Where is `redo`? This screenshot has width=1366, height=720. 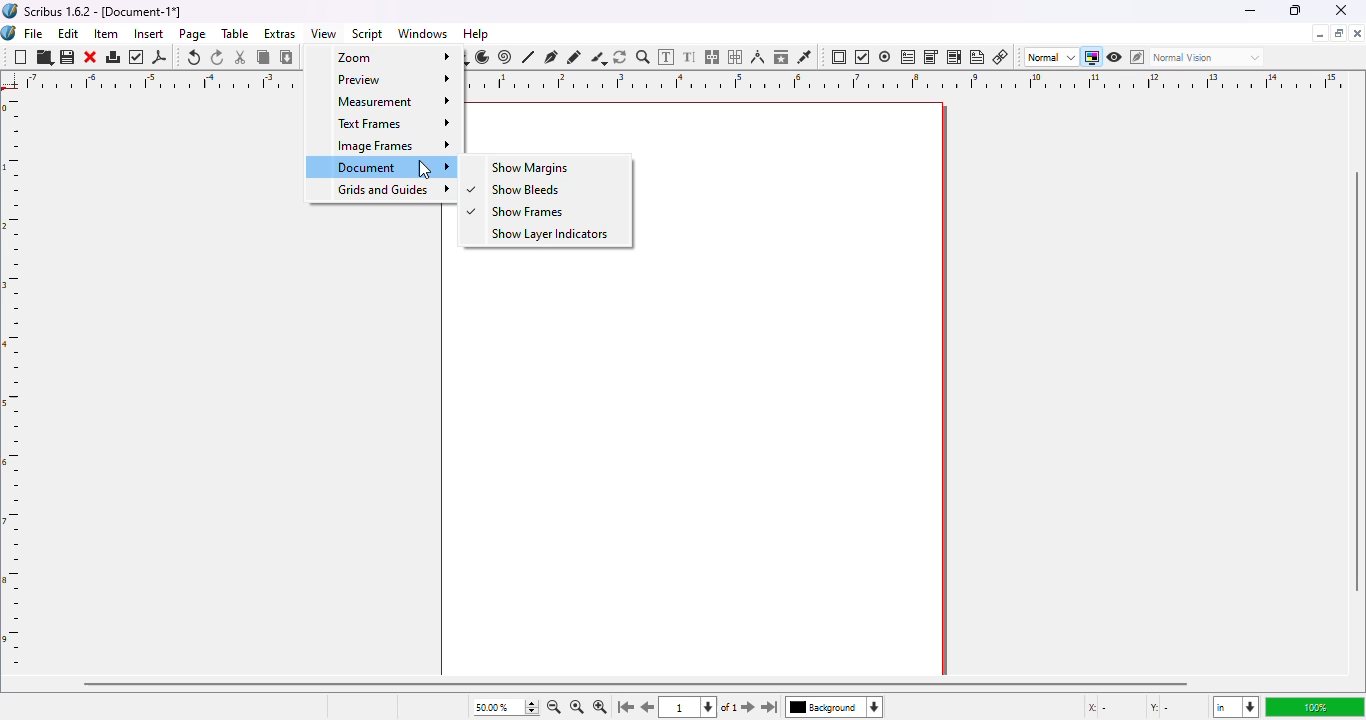 redo is located at coordinates (218, 58).